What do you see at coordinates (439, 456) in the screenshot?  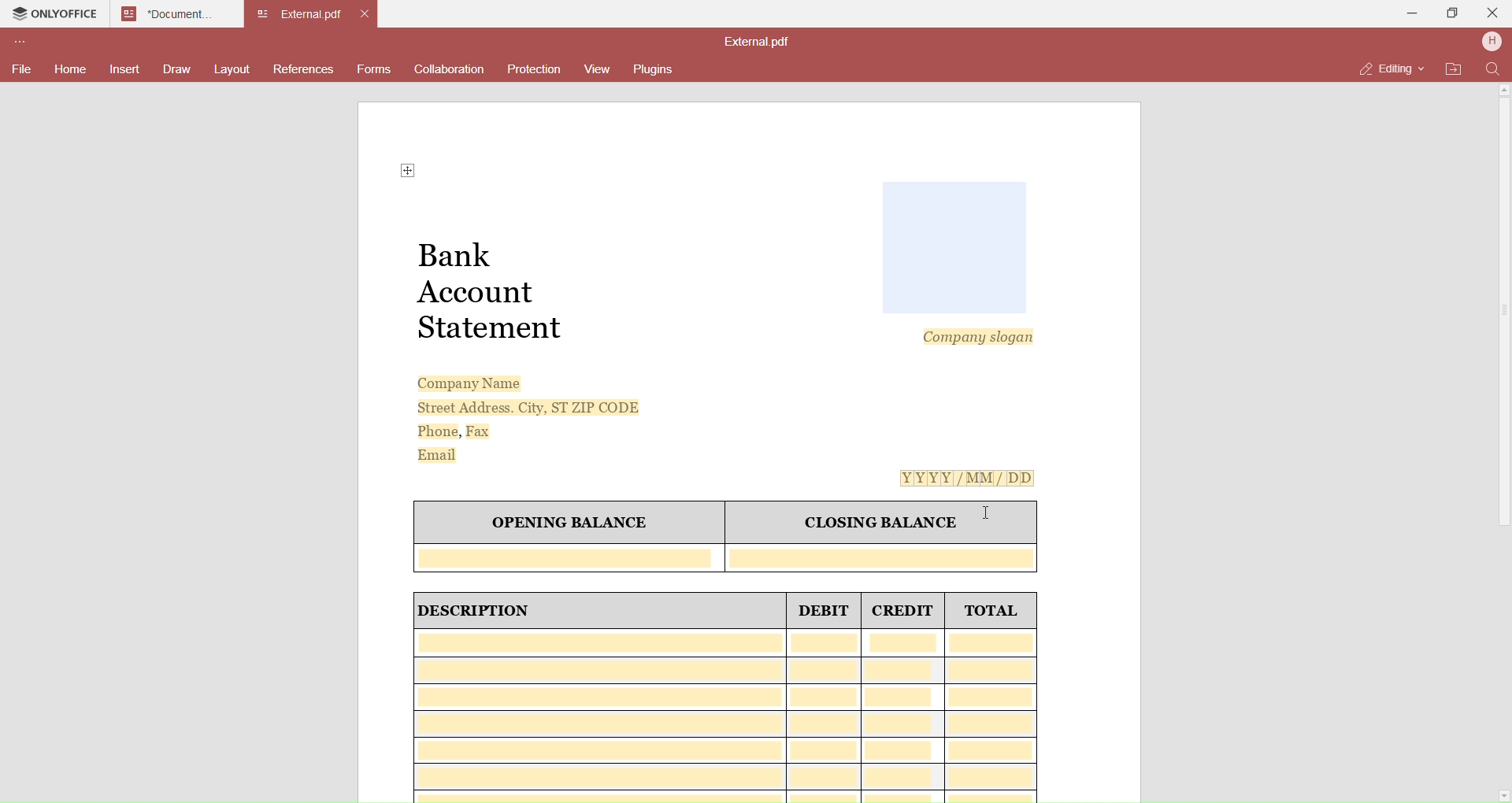 I see `Email` at bounding box center [439, 456].